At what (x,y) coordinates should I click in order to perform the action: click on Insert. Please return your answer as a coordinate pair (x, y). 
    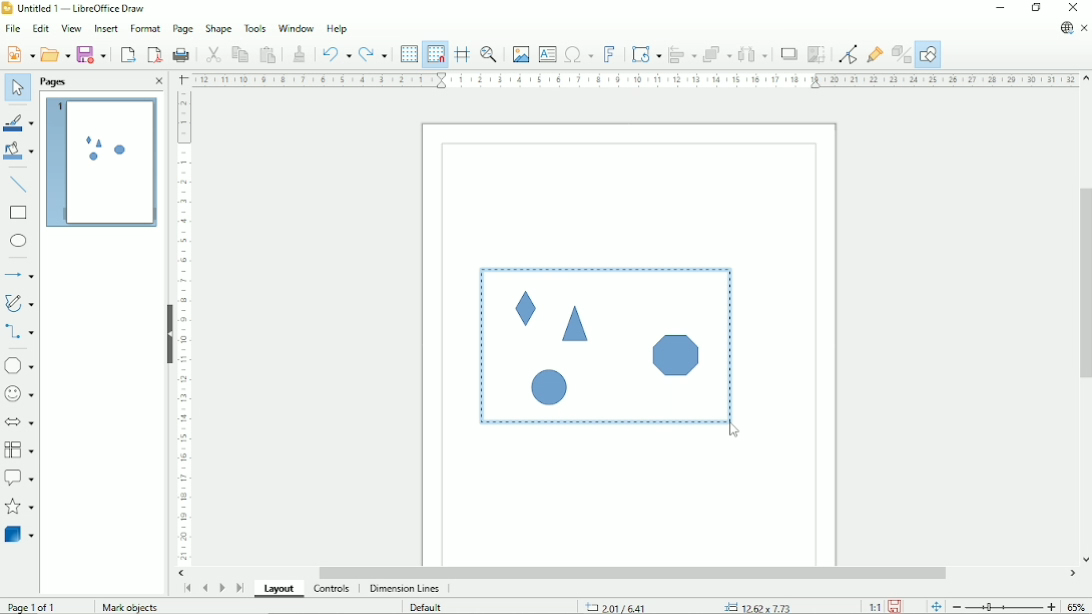
    Looking at the image, I should click on (105, 29).